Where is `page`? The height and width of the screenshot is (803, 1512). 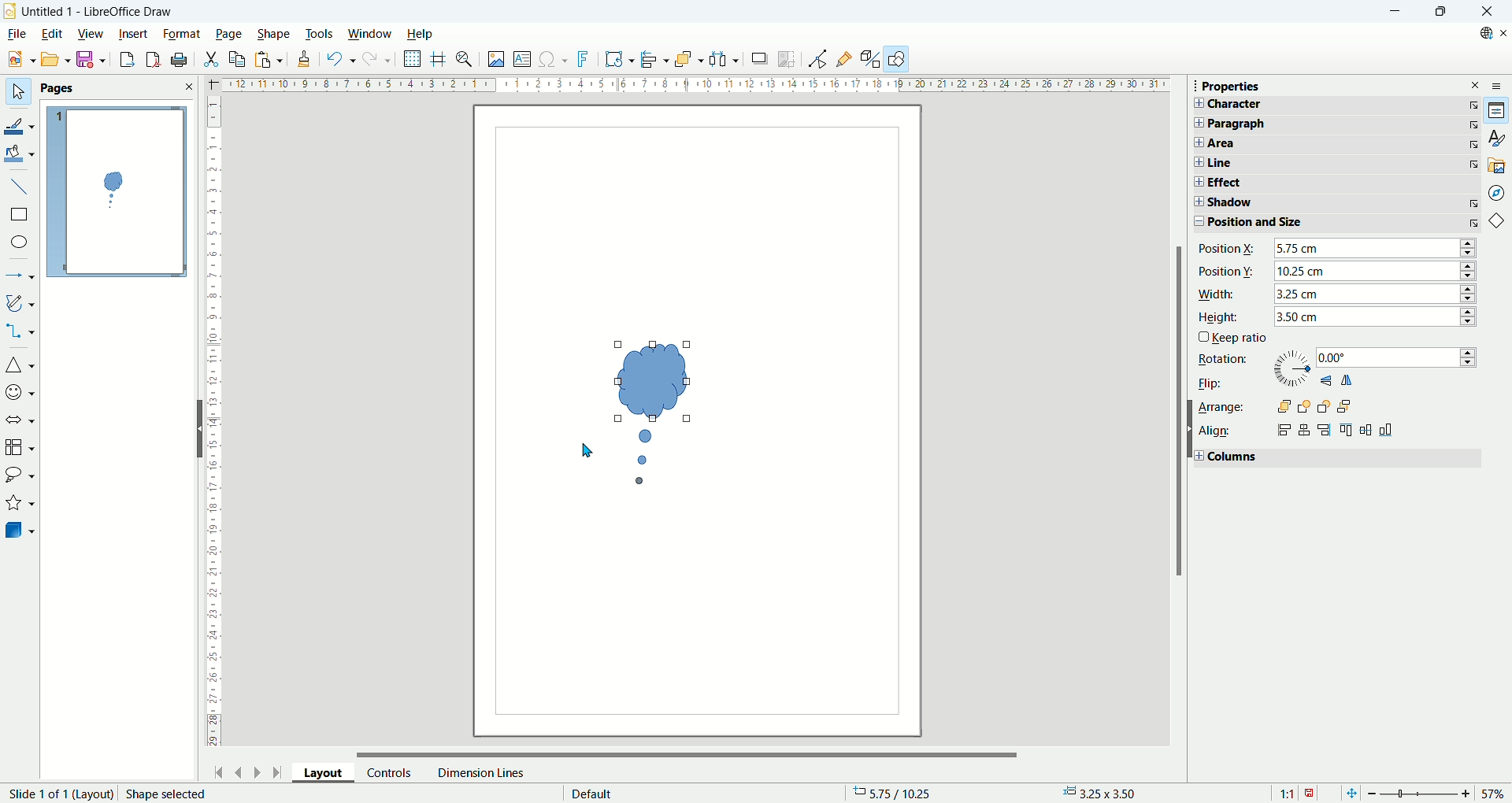 page is located at coordinates (117, 193).